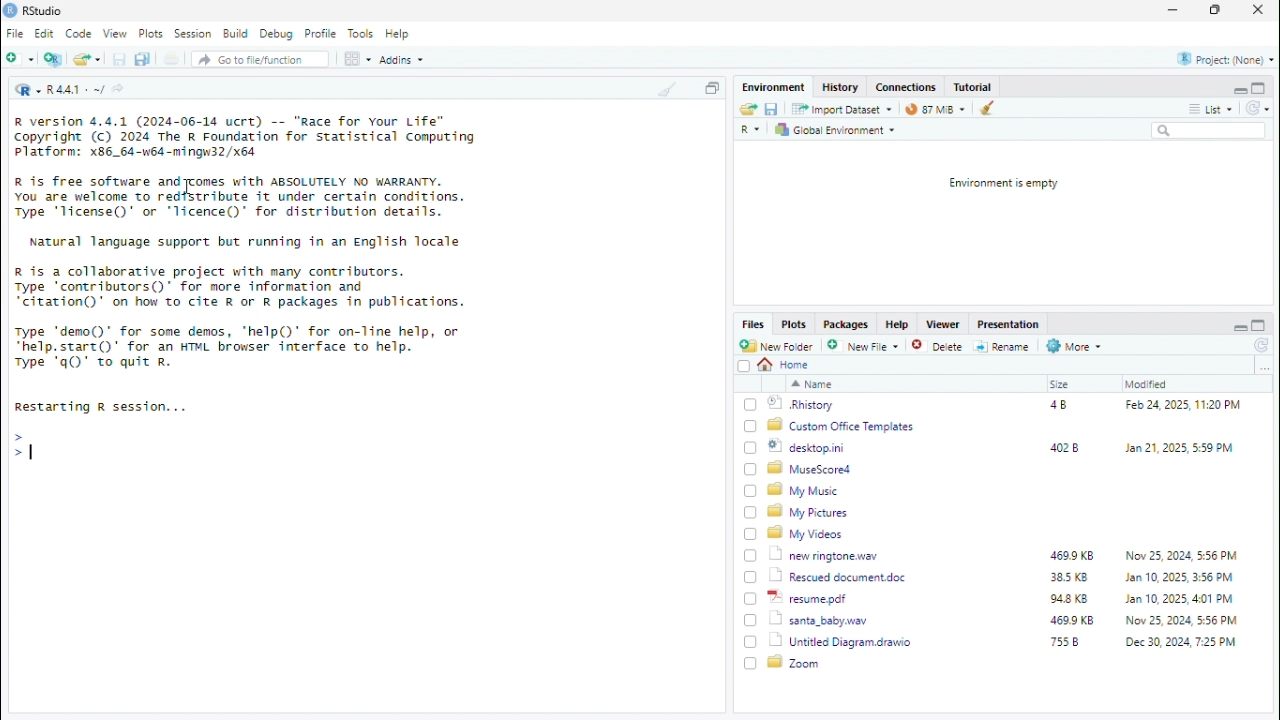 This screenshot has width=1280, height=720. Describe the element at coordinates (1175, 8) in the screenshot. I see `minimise` at that location.